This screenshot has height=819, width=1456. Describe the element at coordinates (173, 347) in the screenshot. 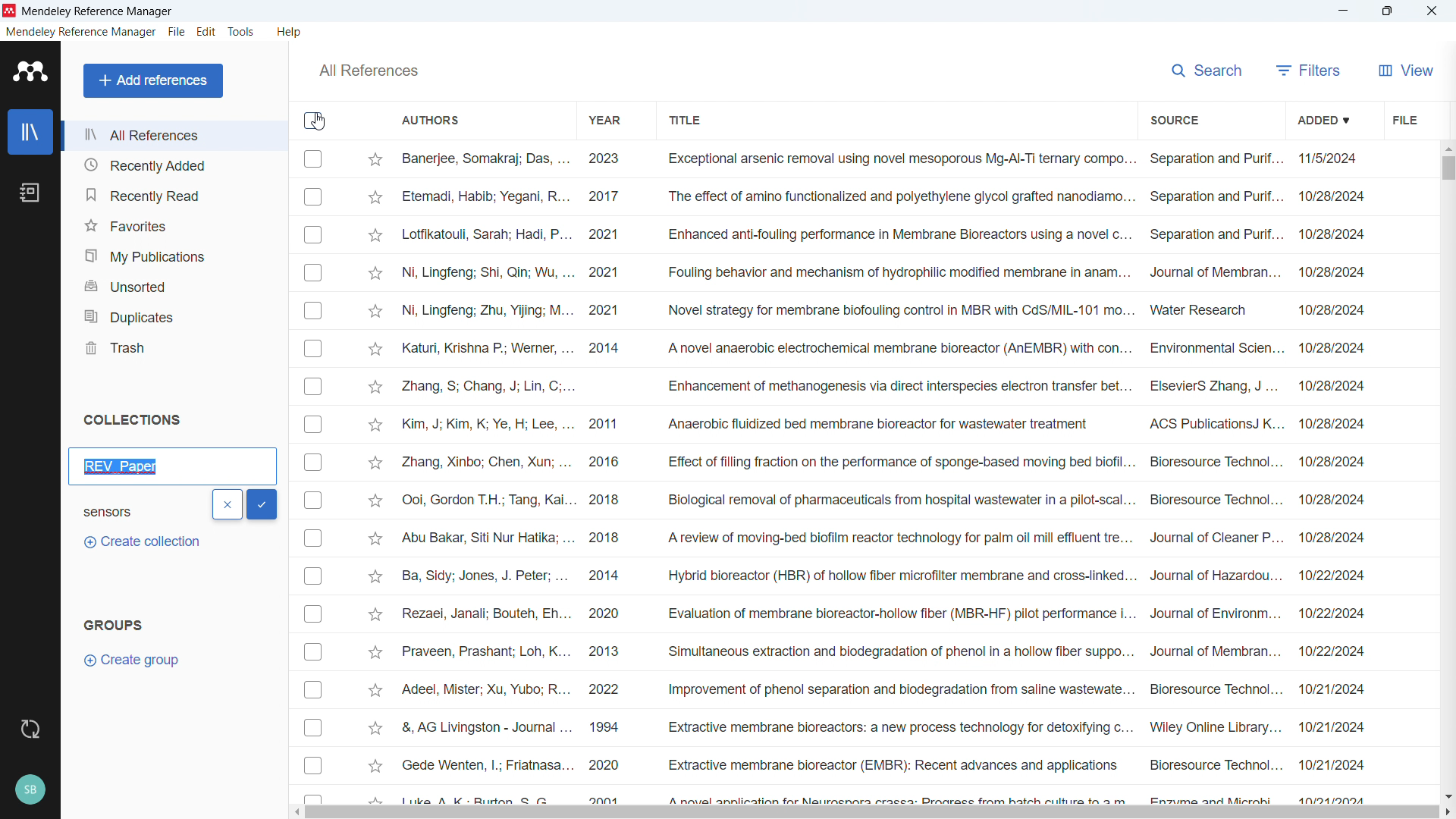

I see `Trash ` at that location.